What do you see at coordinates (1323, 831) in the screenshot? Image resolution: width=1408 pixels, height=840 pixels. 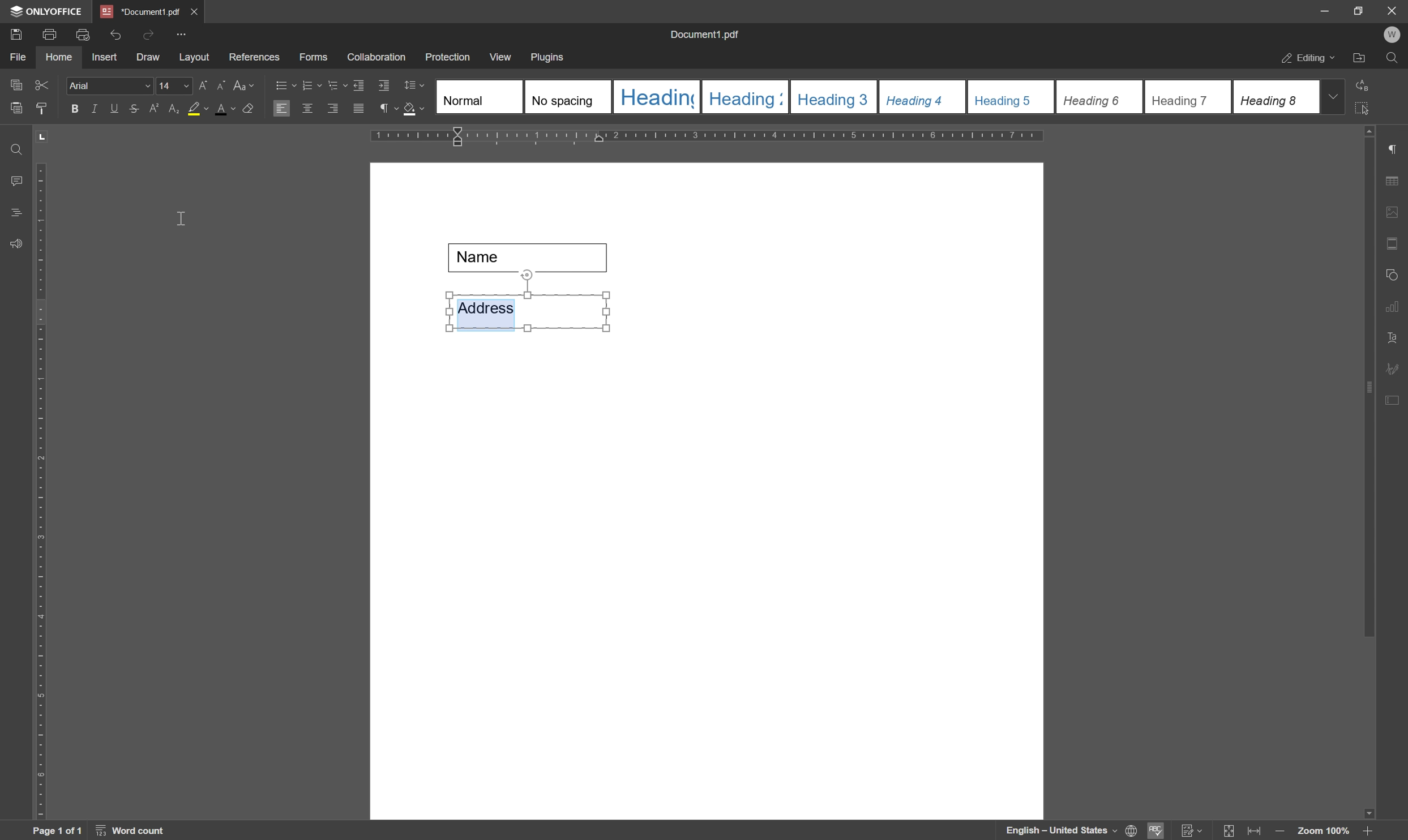 I see `zoom 100%` at bounding box center [1323, 831].